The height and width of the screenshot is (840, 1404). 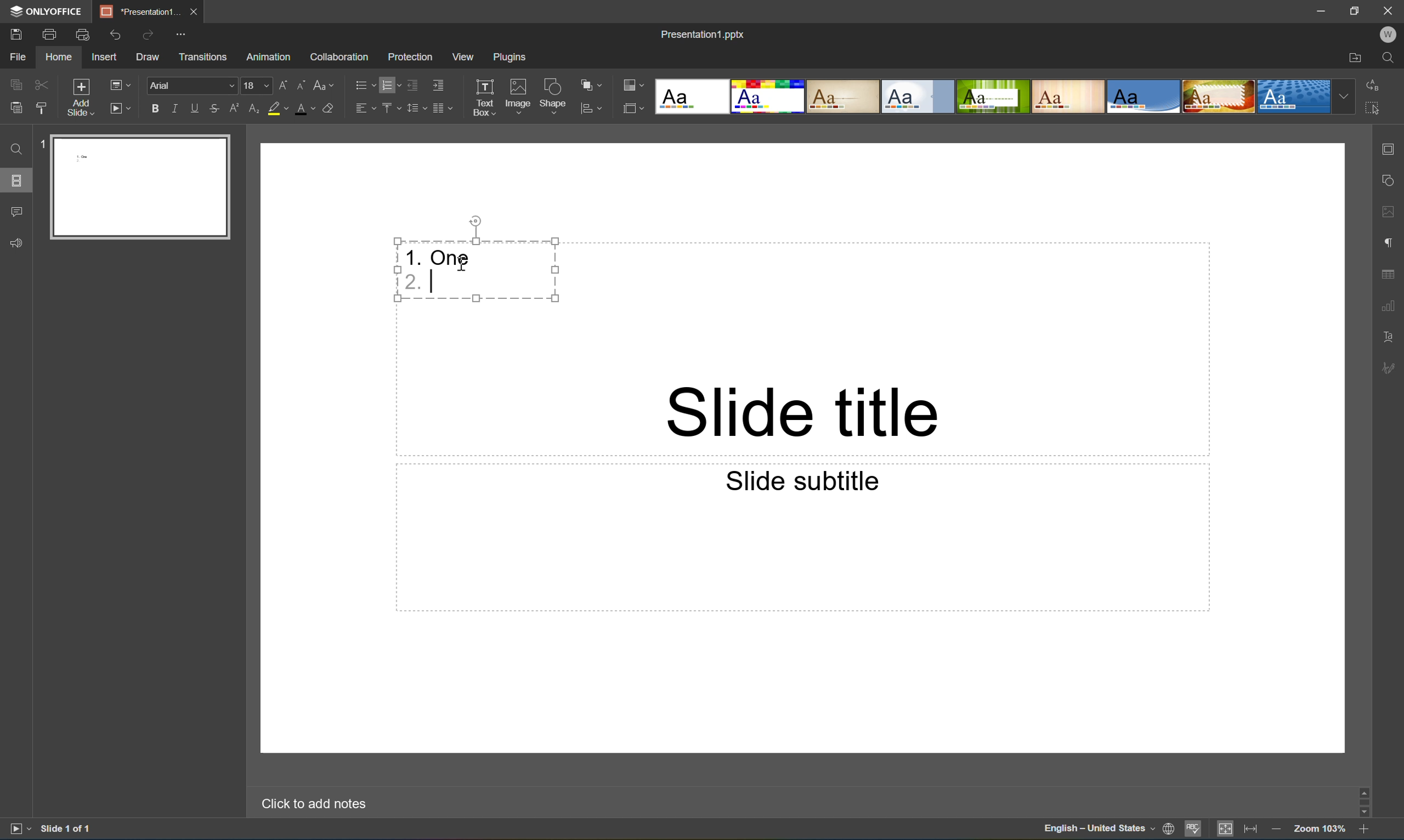 I want to click on Find, so click(x=1390, y=57).